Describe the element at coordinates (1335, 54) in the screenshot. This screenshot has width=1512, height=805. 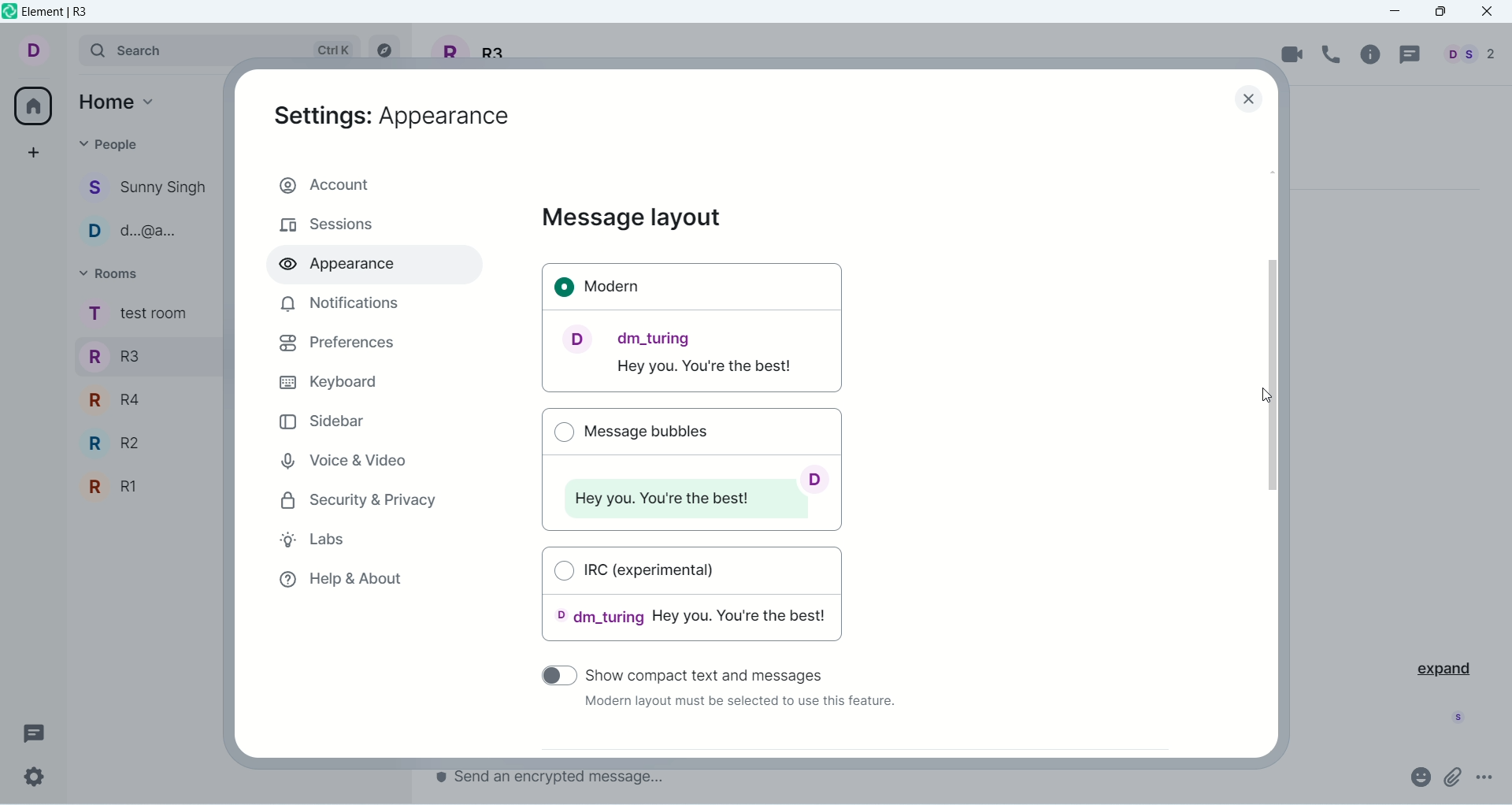
I see `voice call` at that location.